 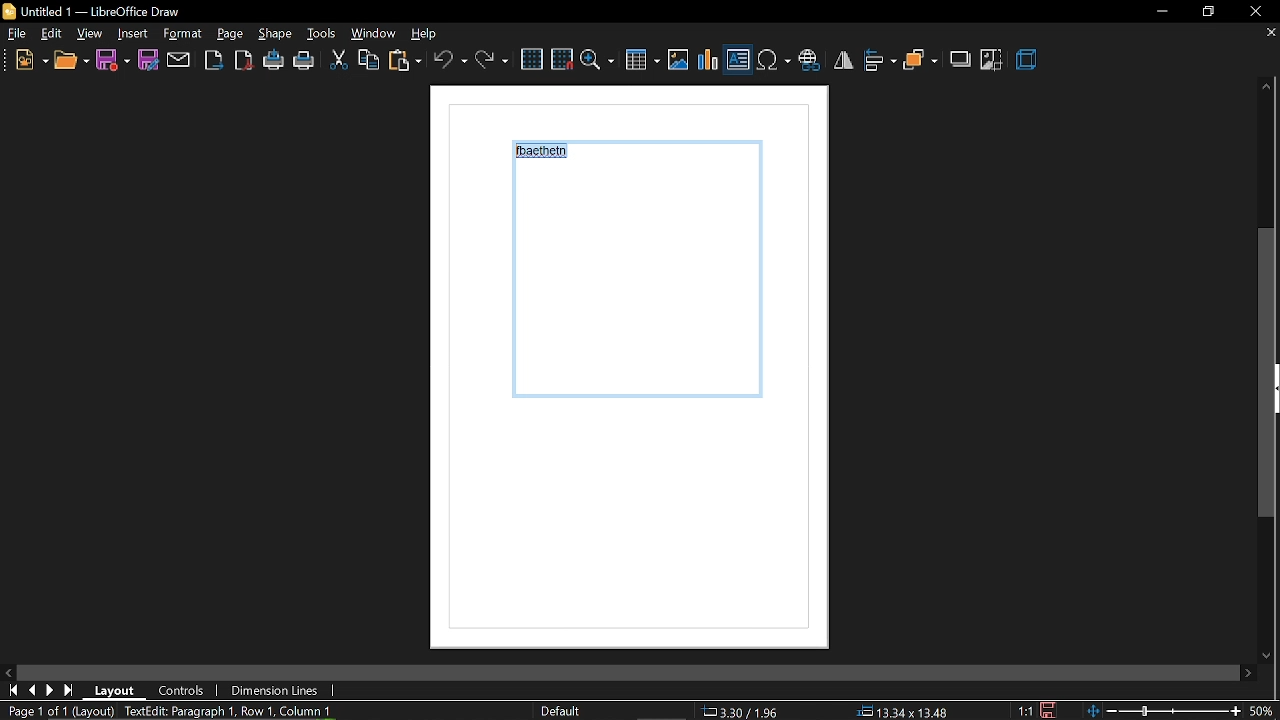 What do you see at coordinates (646, 375) in the screenshot?
I see `Current page` at bounding box center [646, 375].